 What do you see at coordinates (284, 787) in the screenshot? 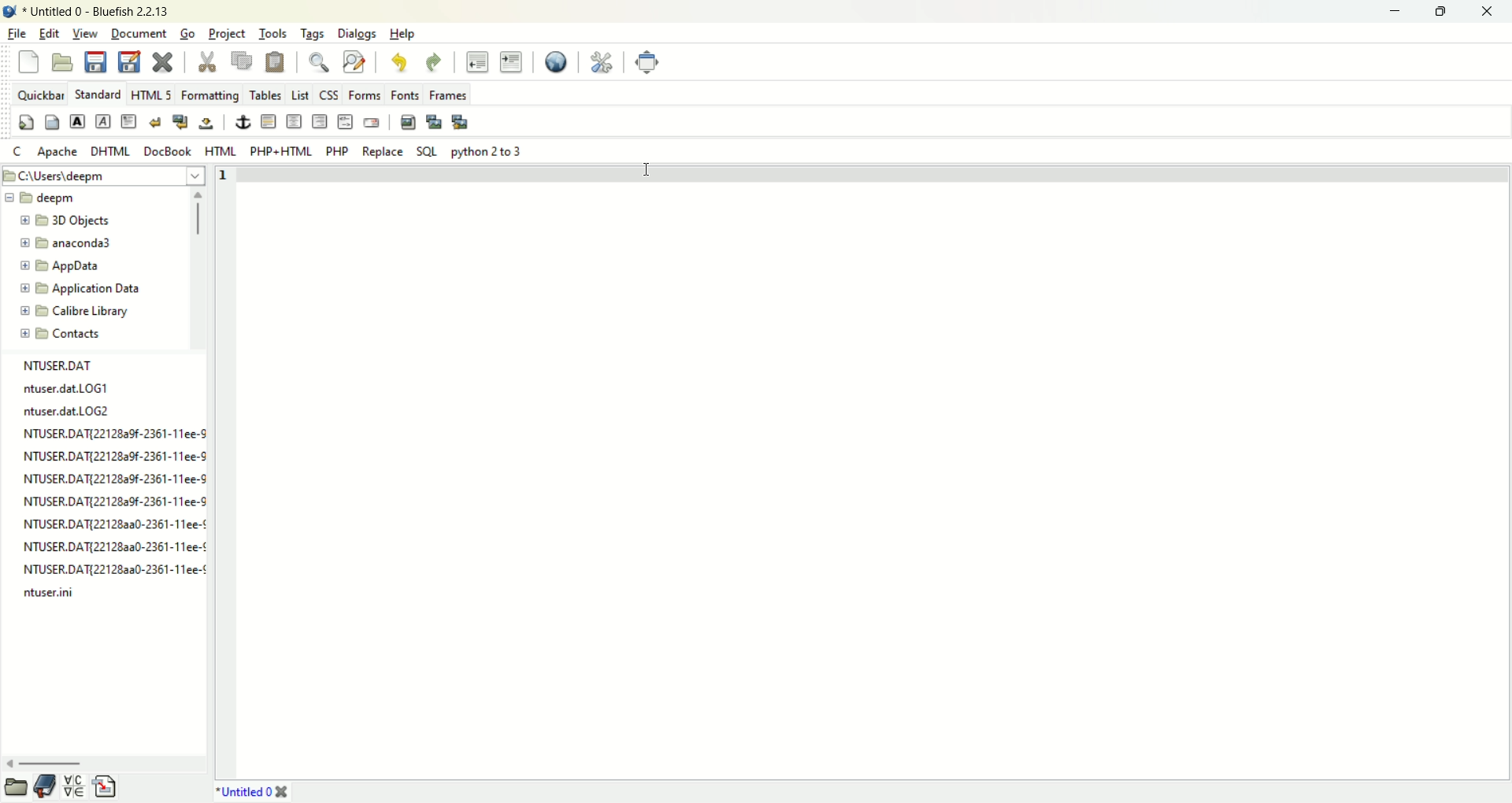
I see `close` at bounding box center [284, 787].